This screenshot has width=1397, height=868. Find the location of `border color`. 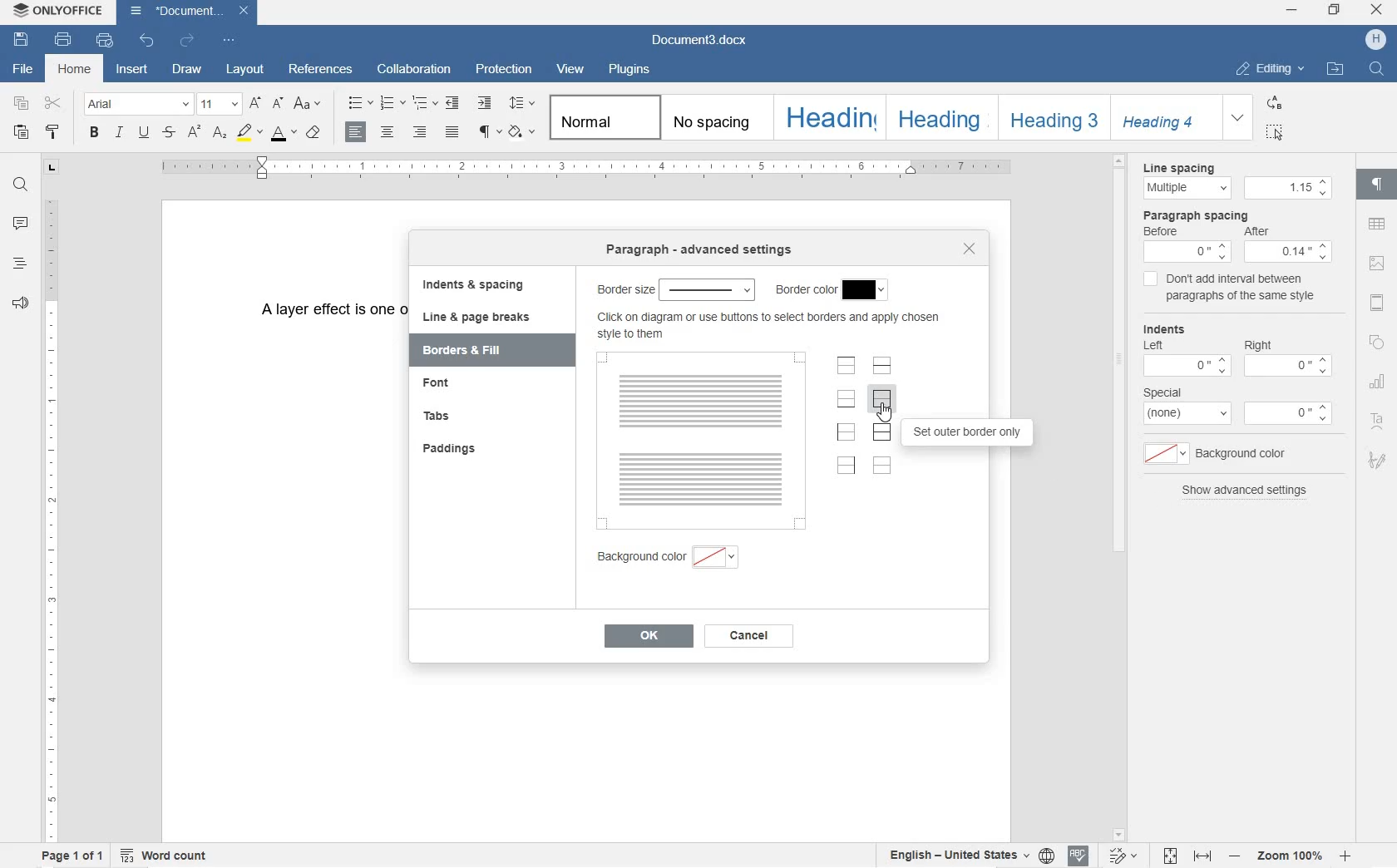

border color is located at coordinates (833, 289).